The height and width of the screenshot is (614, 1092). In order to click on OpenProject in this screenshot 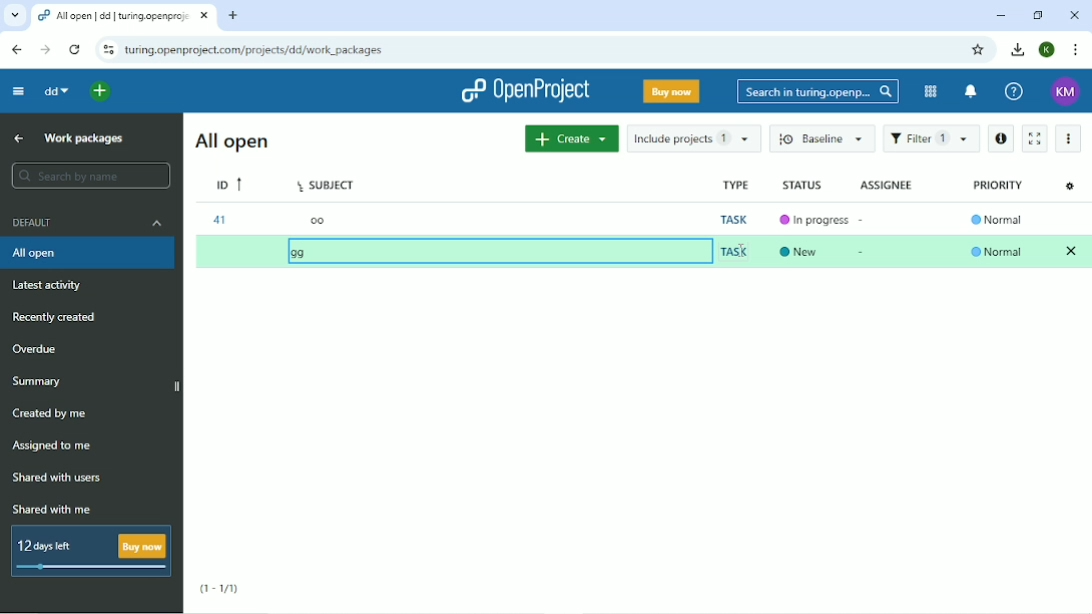, I will do `click(524, 92)`.